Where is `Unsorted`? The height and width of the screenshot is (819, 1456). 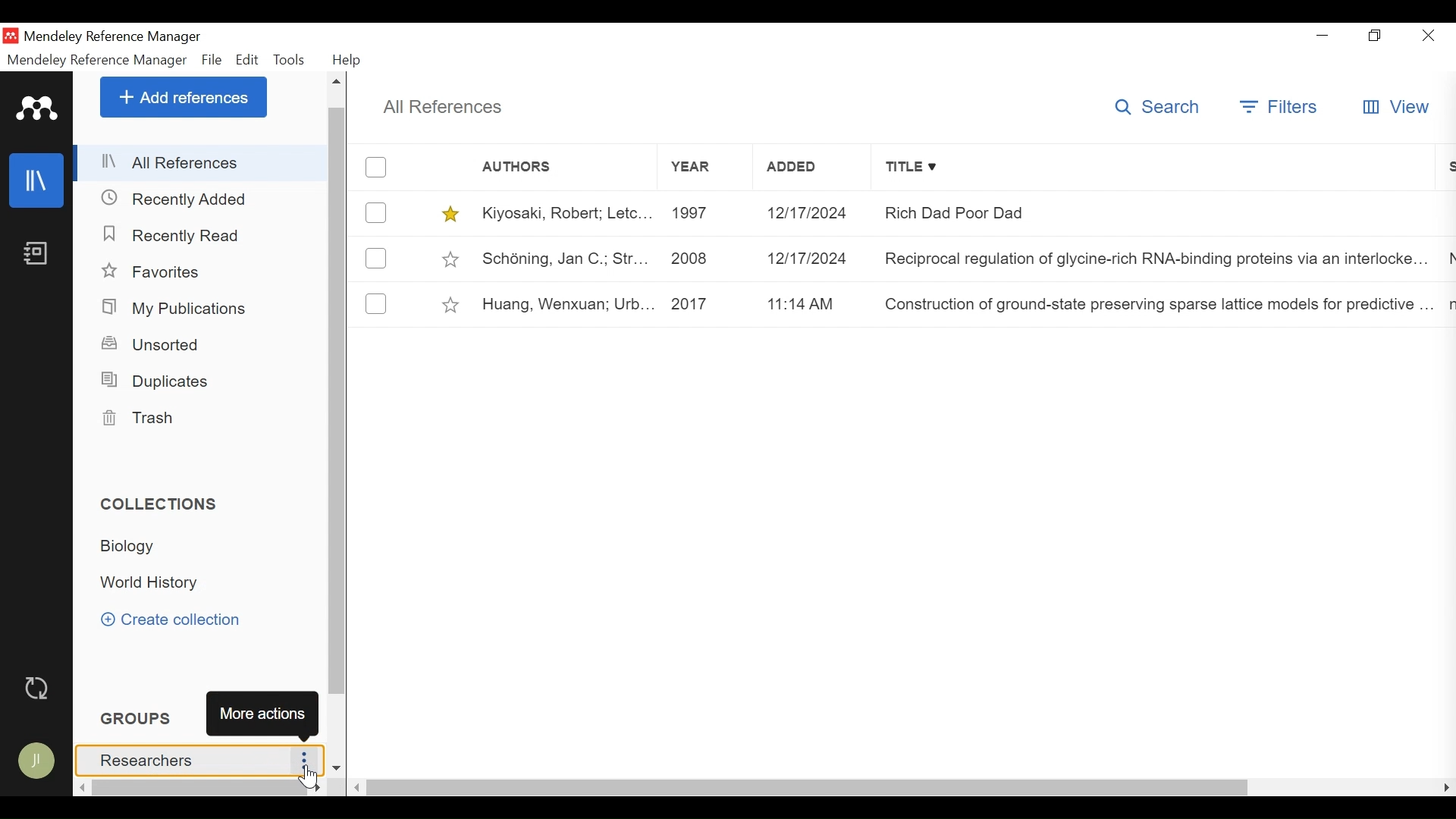
Unsorted is located at coordinates (156, 344).